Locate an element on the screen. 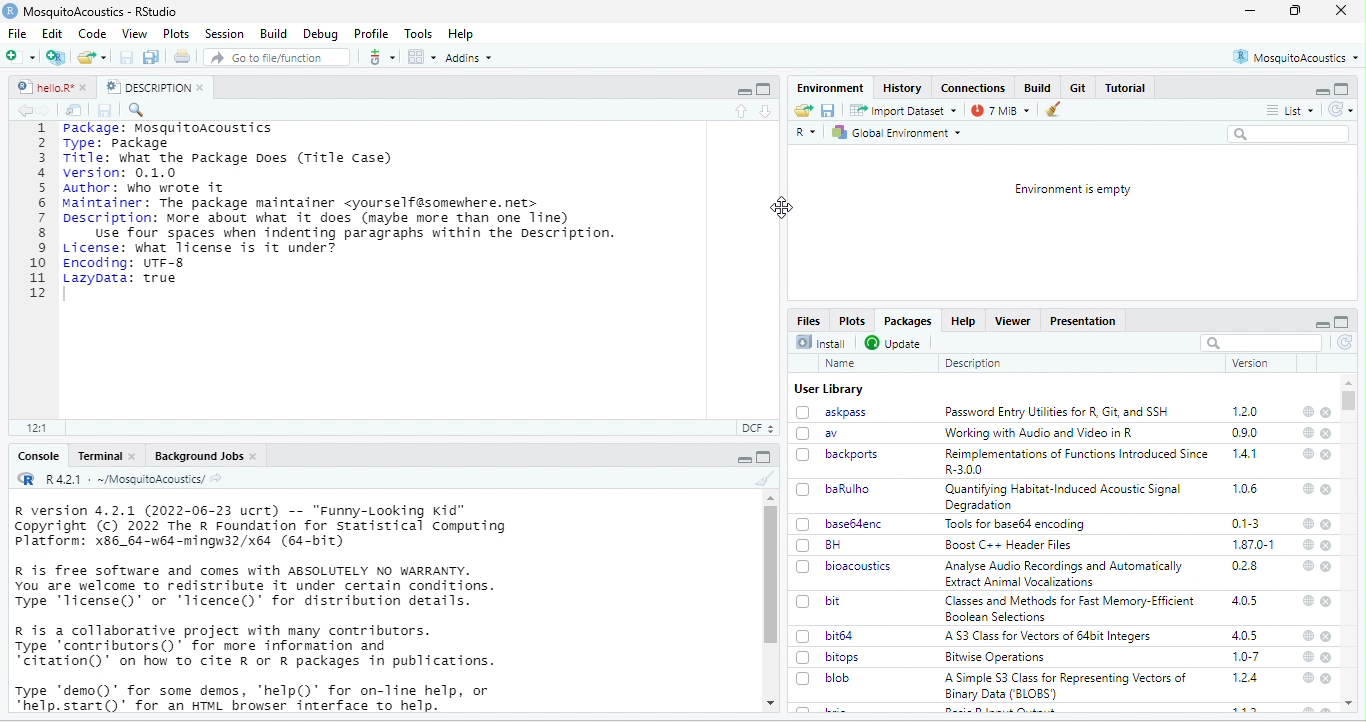 The image size is (1366, 722). create a project is located at coordinates (56, 57).